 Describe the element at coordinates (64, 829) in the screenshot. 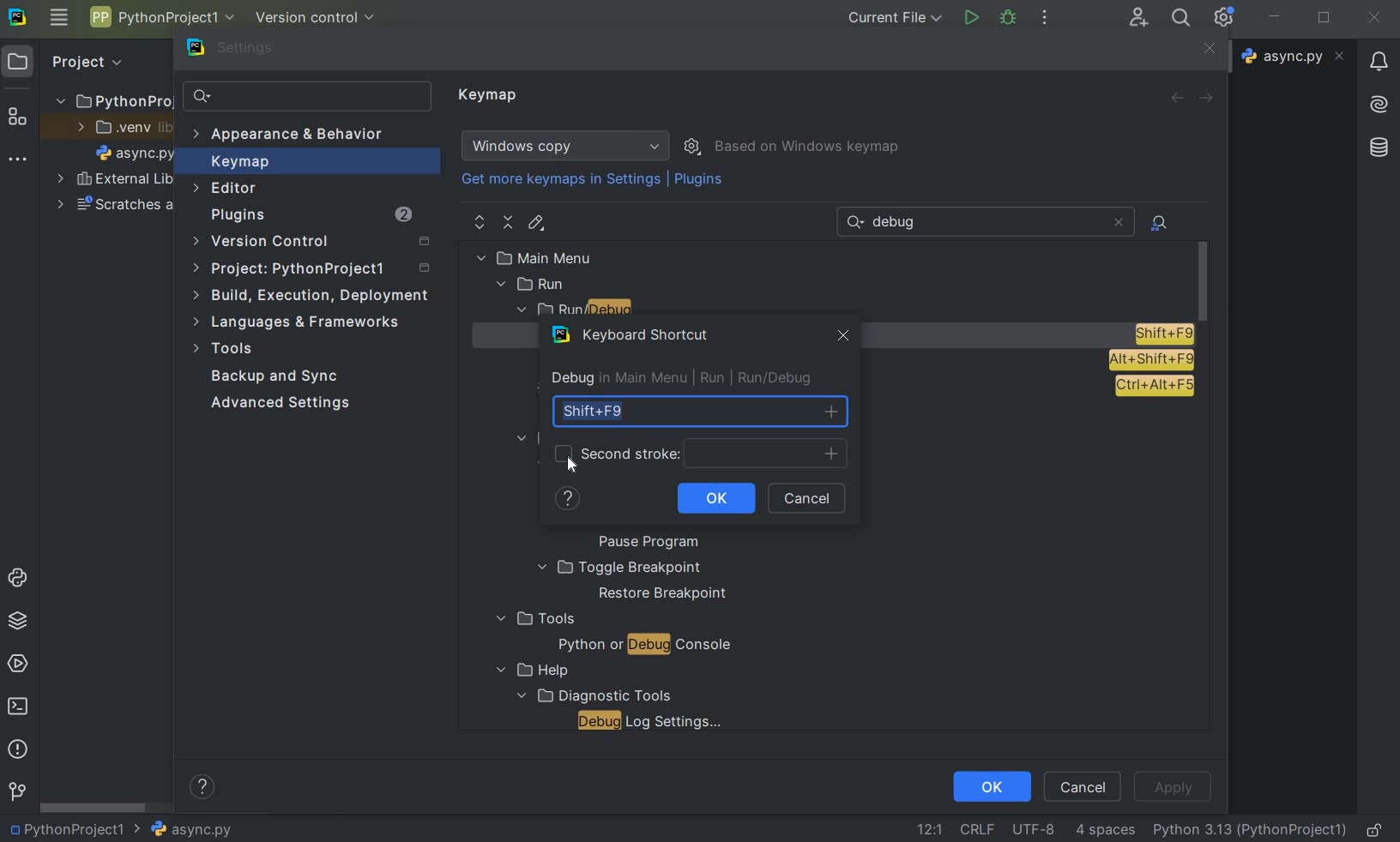

I see `project name` at that location.